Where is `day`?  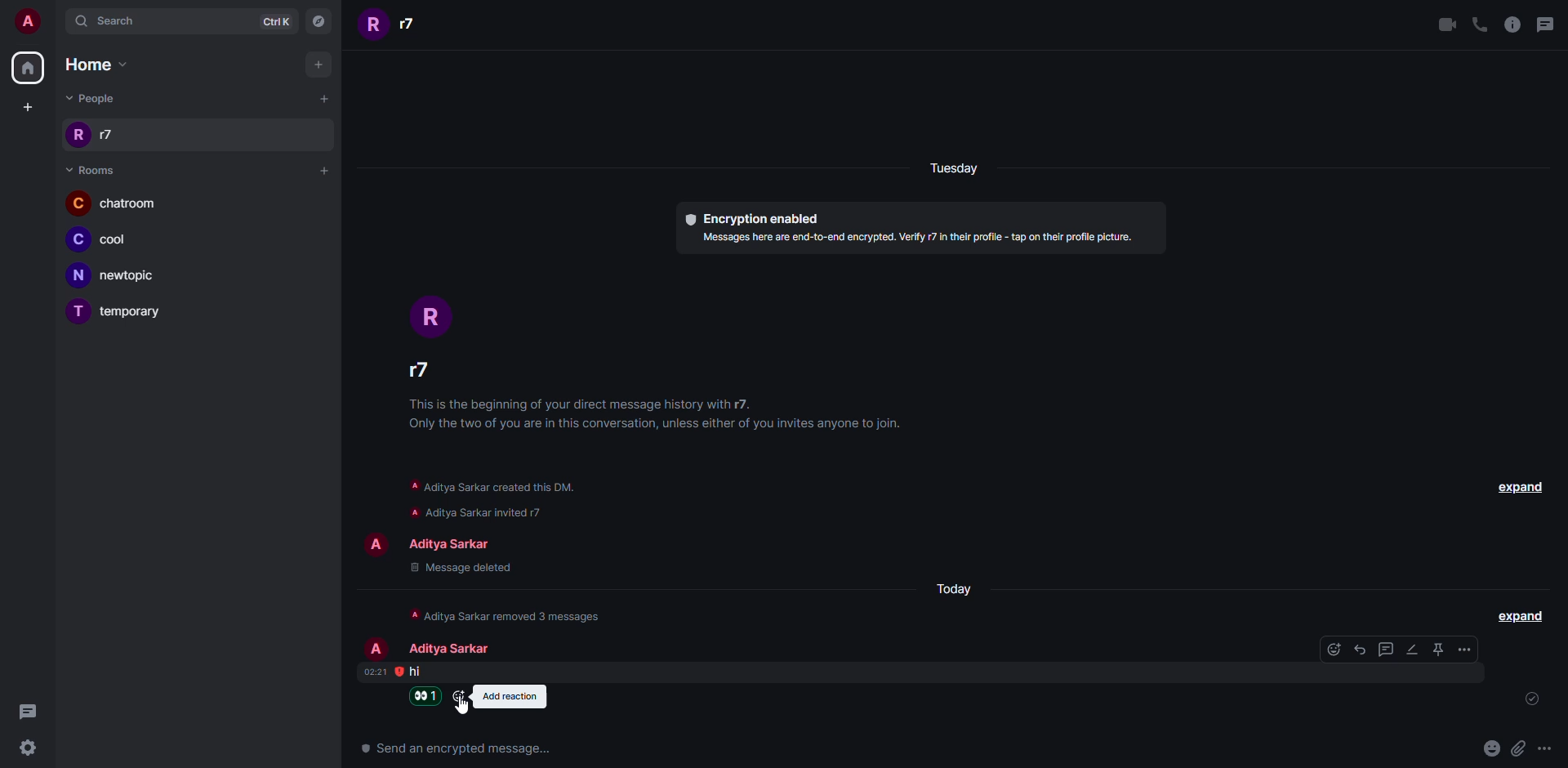
day is located at coordinates (955, 587).